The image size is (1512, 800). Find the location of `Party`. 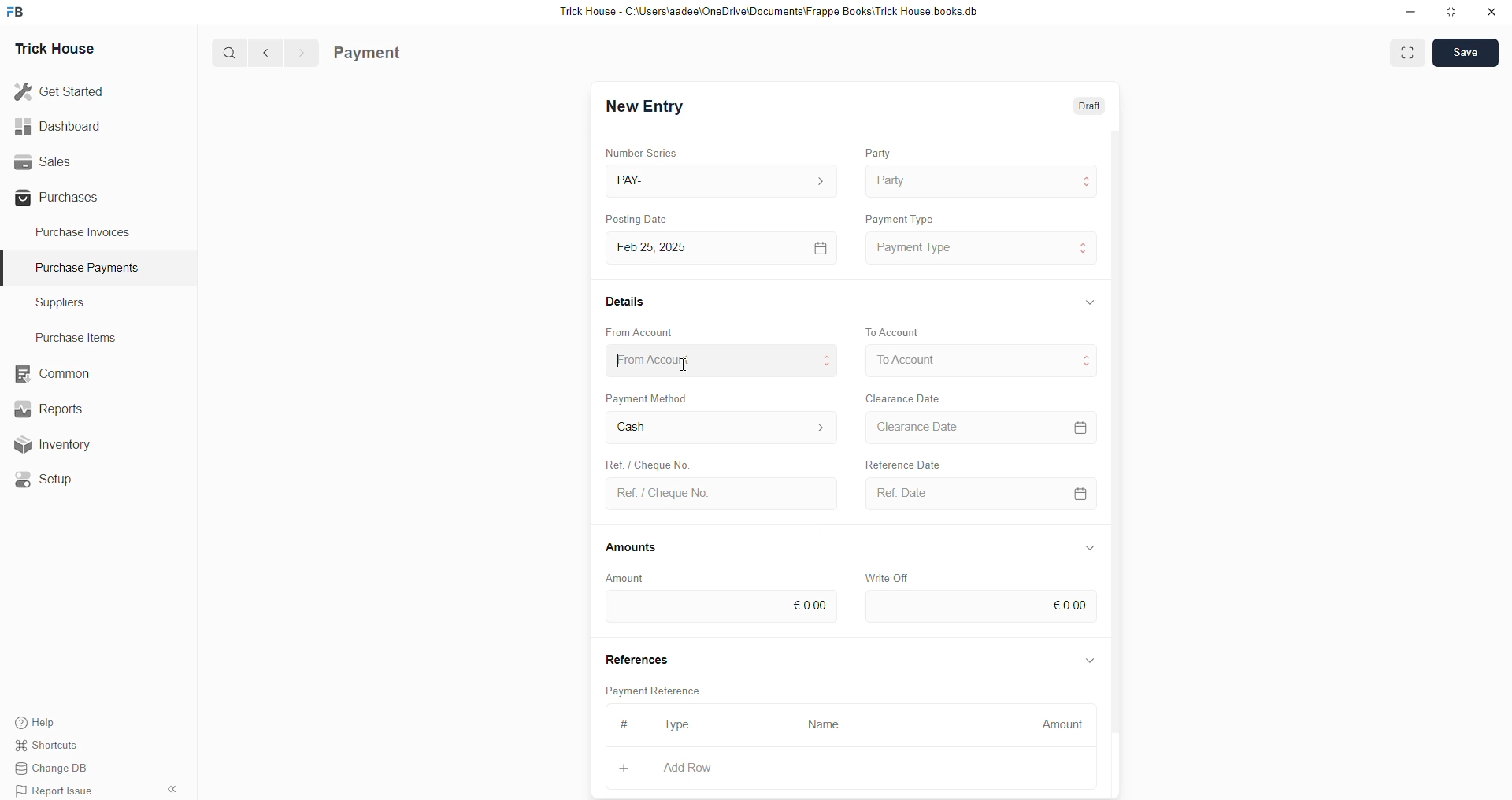

Party is located at coordinates (880, 149).